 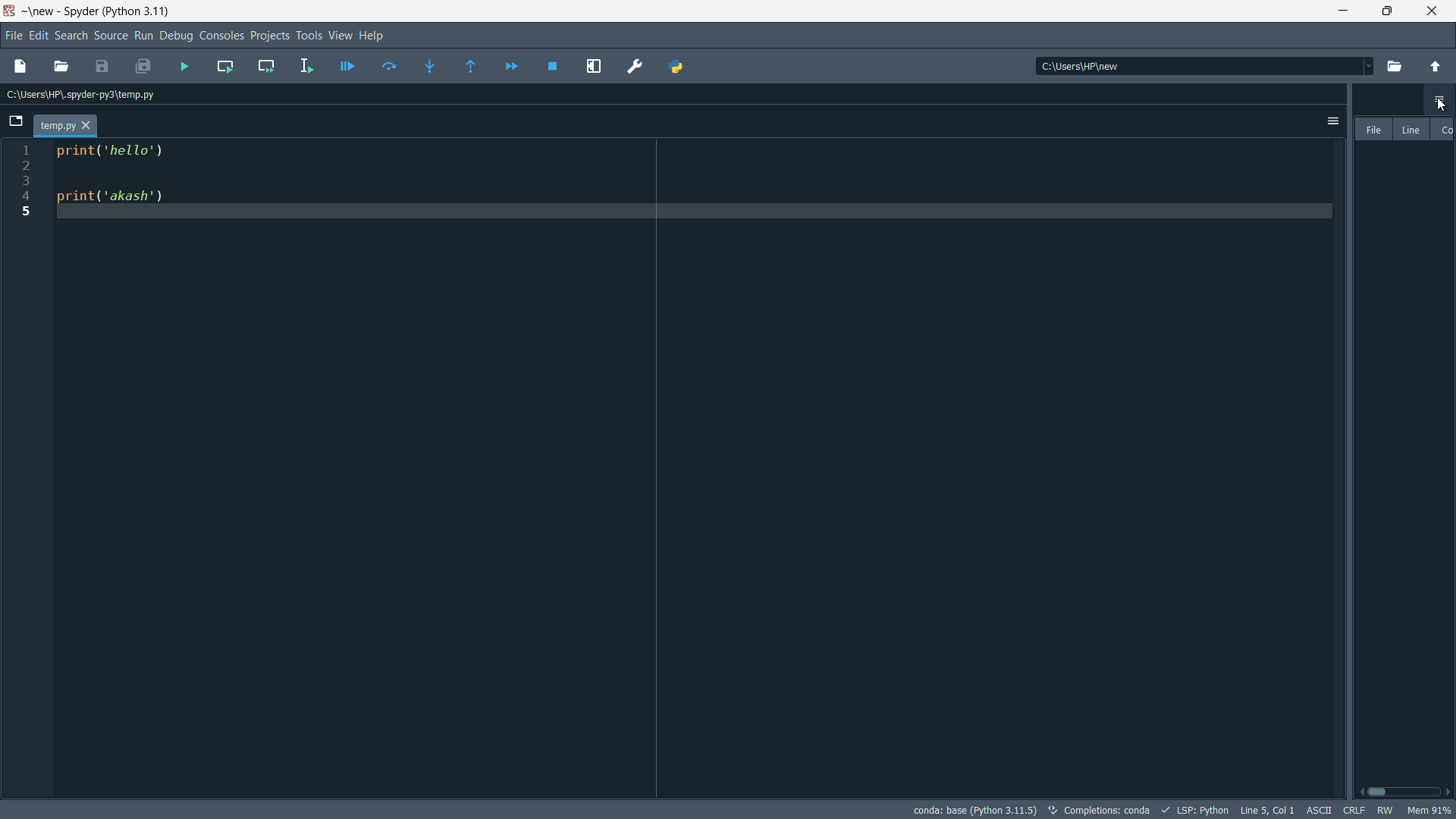 I want to click on interpreter, so click(x=976, y=809).